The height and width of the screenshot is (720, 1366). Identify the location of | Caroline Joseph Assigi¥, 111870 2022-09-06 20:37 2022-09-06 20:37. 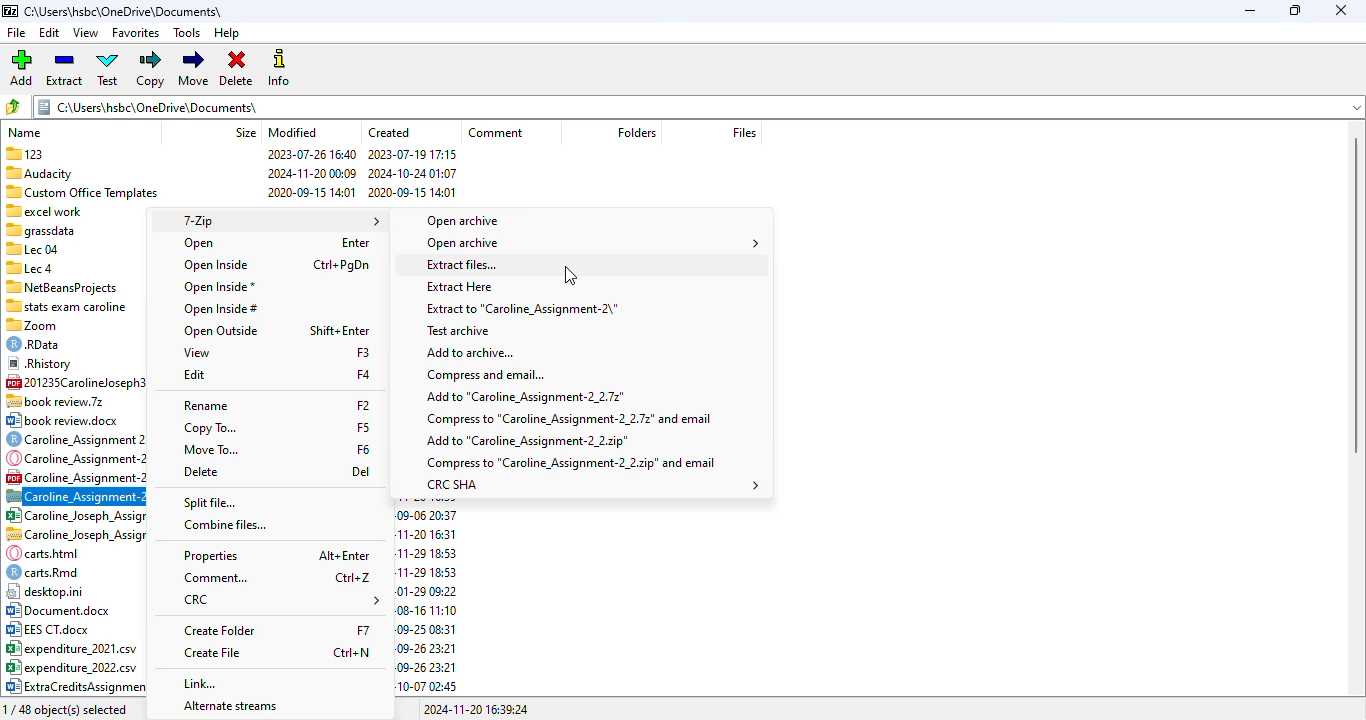
(76, 515).